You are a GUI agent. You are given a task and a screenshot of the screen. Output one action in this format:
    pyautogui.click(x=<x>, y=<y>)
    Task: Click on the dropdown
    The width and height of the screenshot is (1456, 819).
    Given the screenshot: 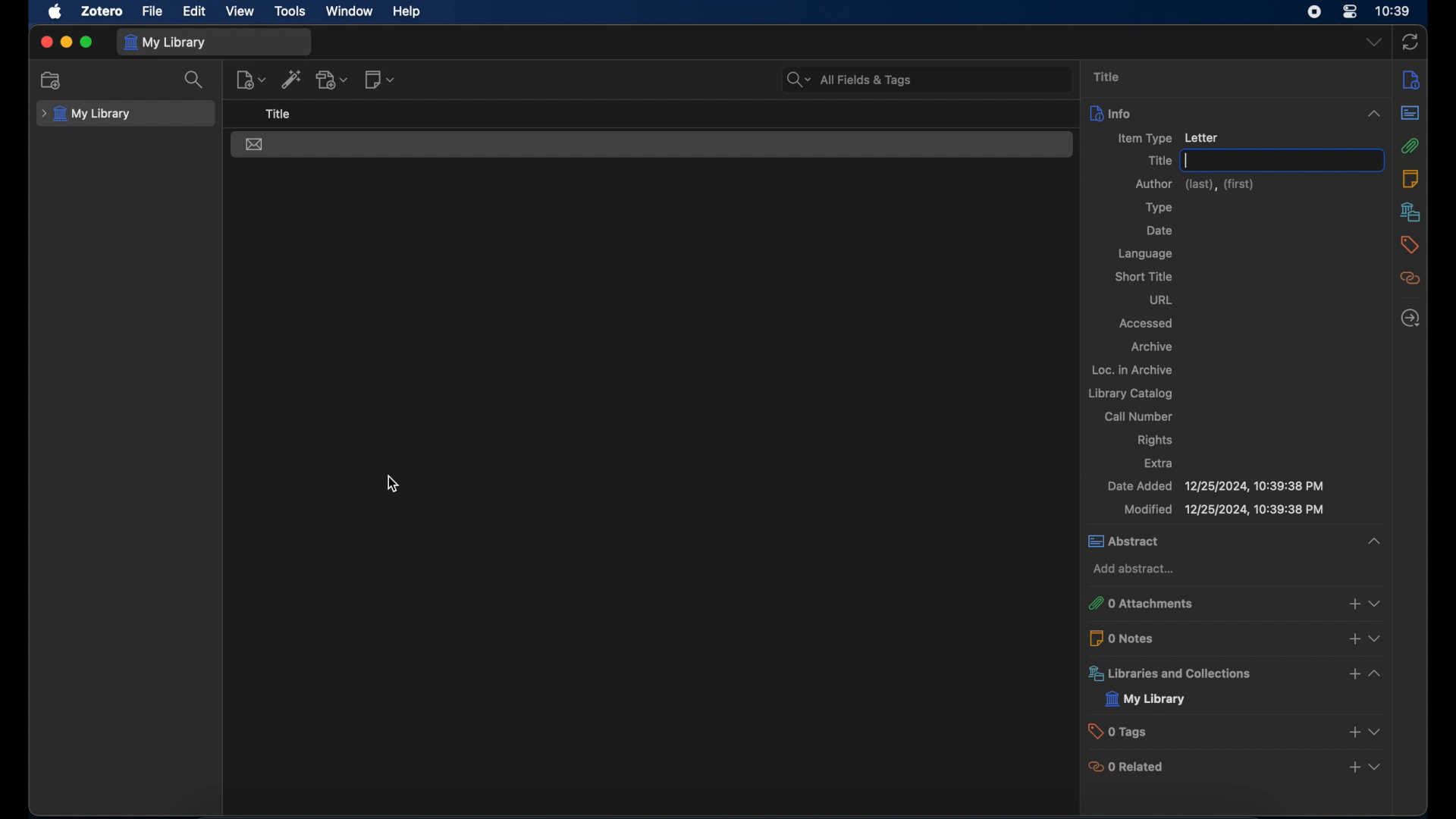 What is the action you would take?
    pyautogui.click(x=1374, y=42)
    